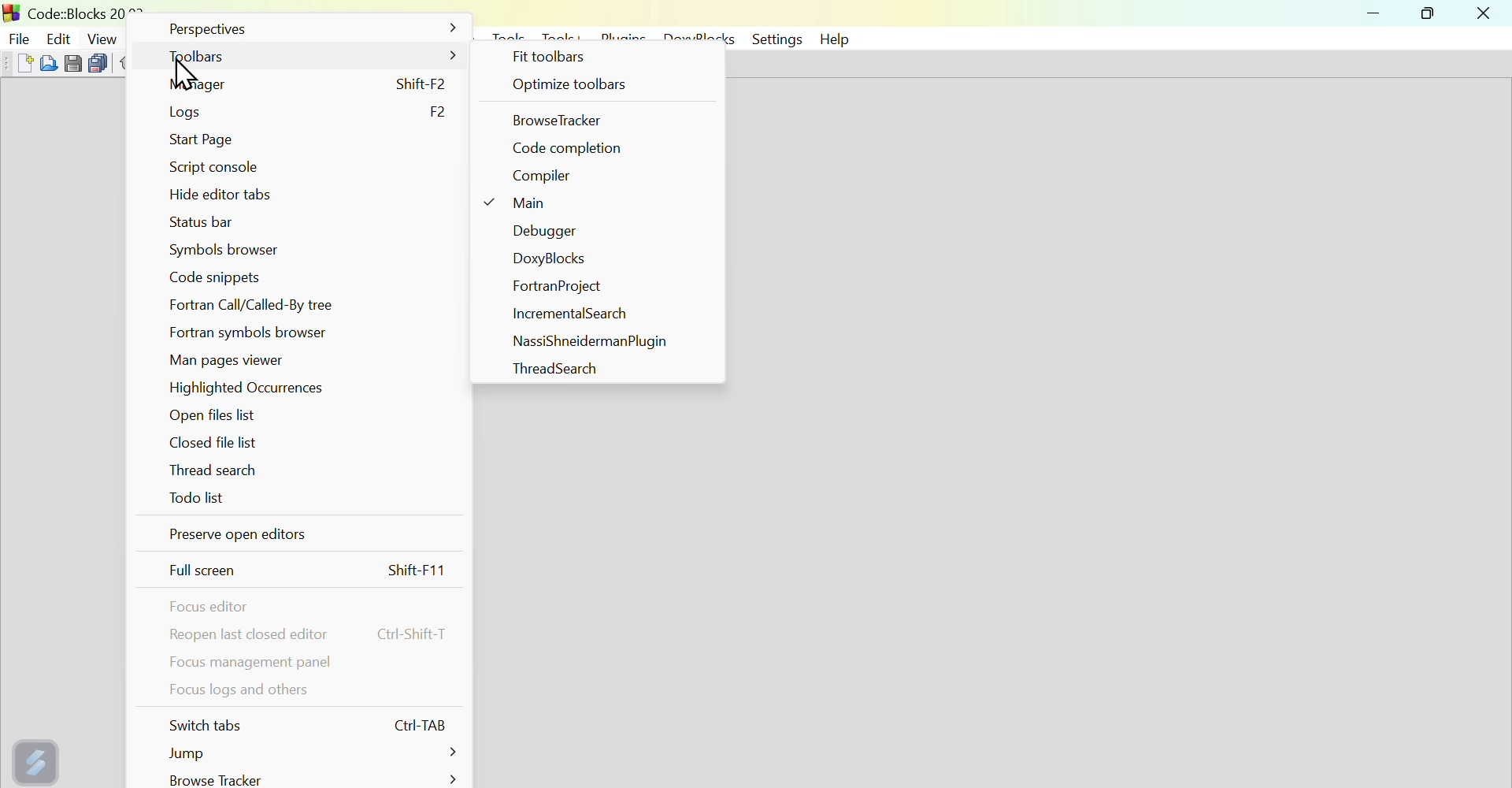 The image size is (1512, 788). Describe the element at coordinates (181, 76) in the screenshot. I see `Cursor` at that location.